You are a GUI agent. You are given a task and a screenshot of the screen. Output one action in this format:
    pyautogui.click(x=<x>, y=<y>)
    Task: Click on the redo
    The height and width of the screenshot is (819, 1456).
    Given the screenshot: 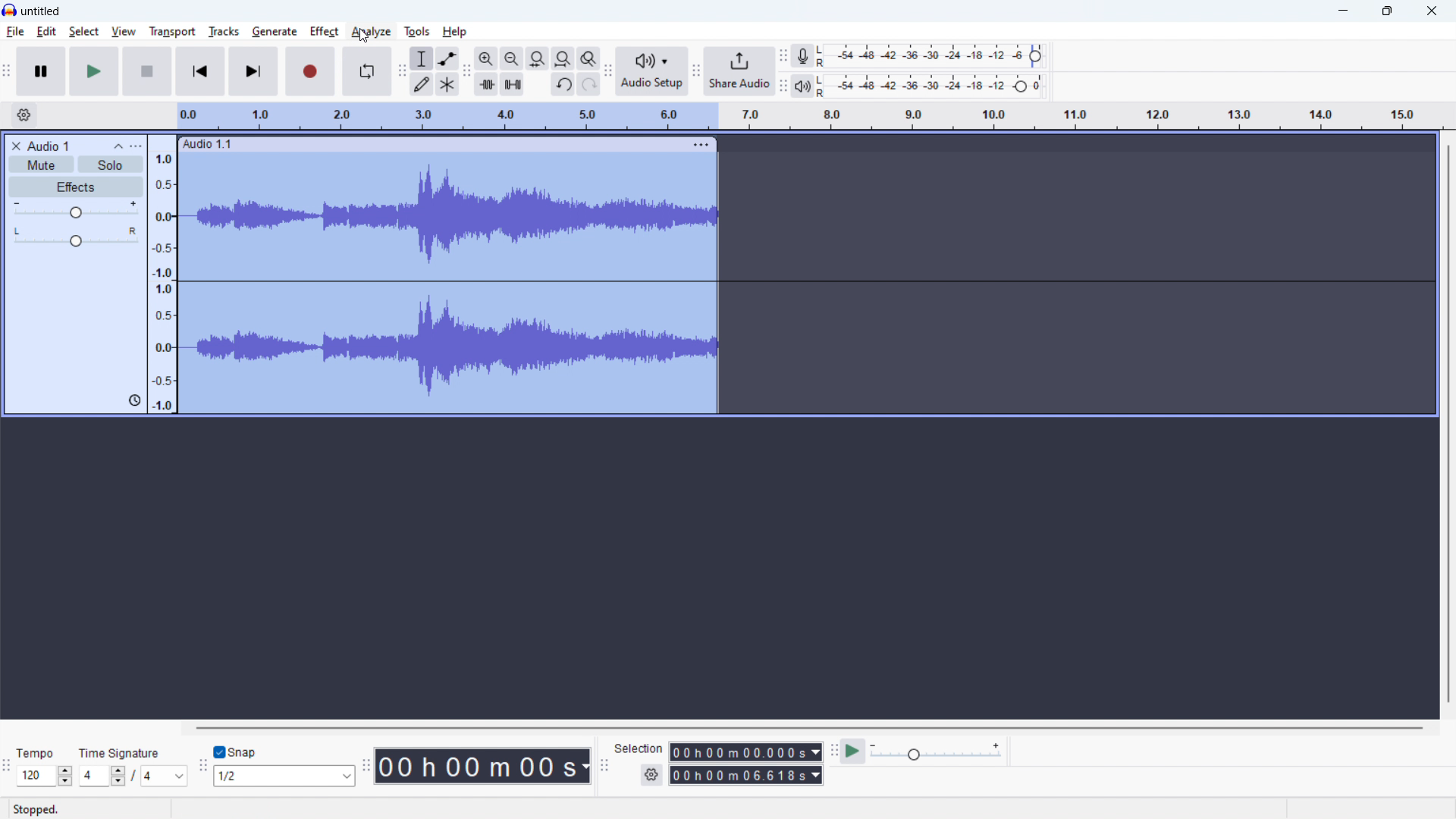 What is the action you would take?
    pyautogui.click(x=563, y=83)
    